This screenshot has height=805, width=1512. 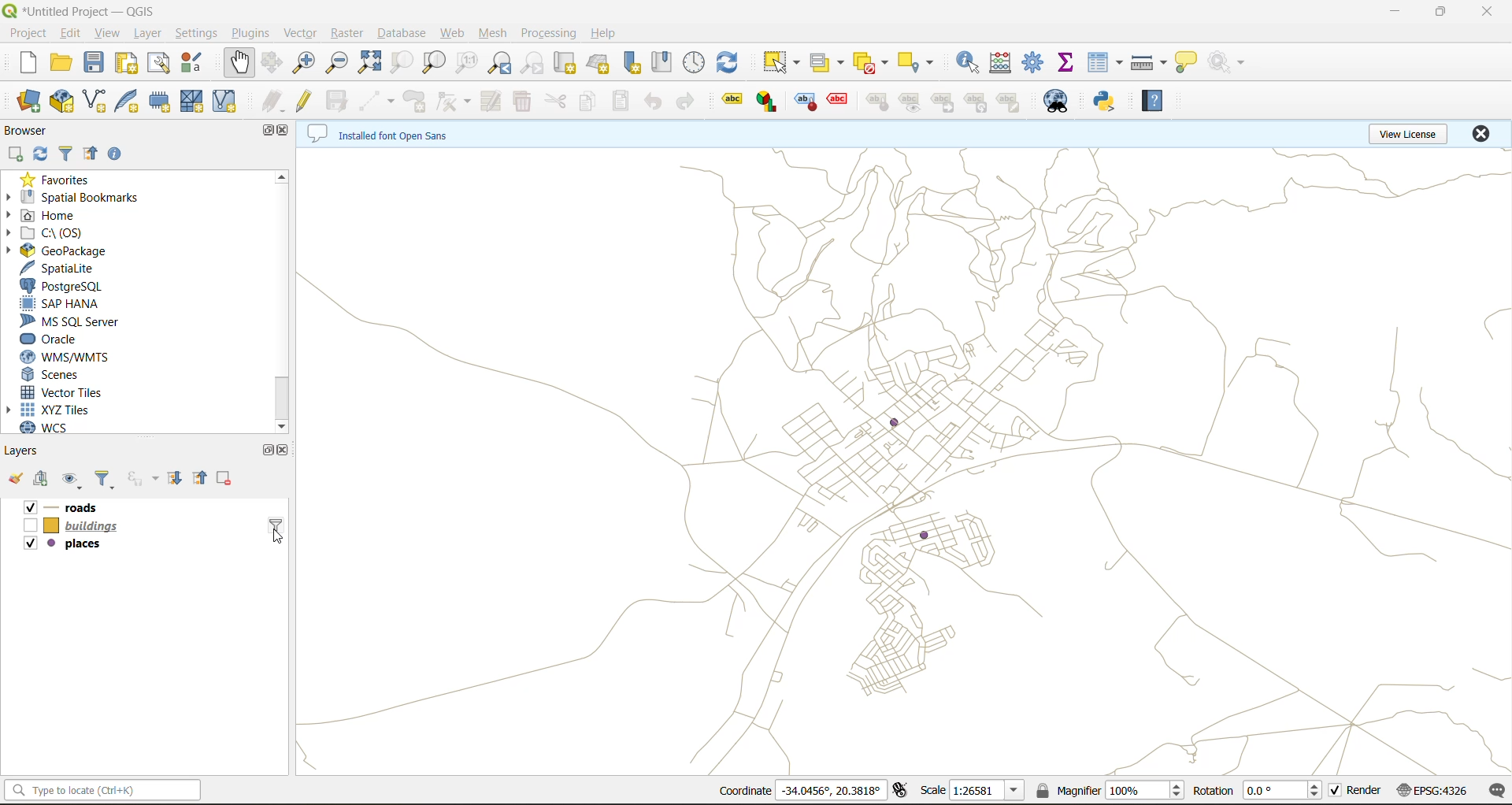 I want to click on redo, so click(x=690, y=103).